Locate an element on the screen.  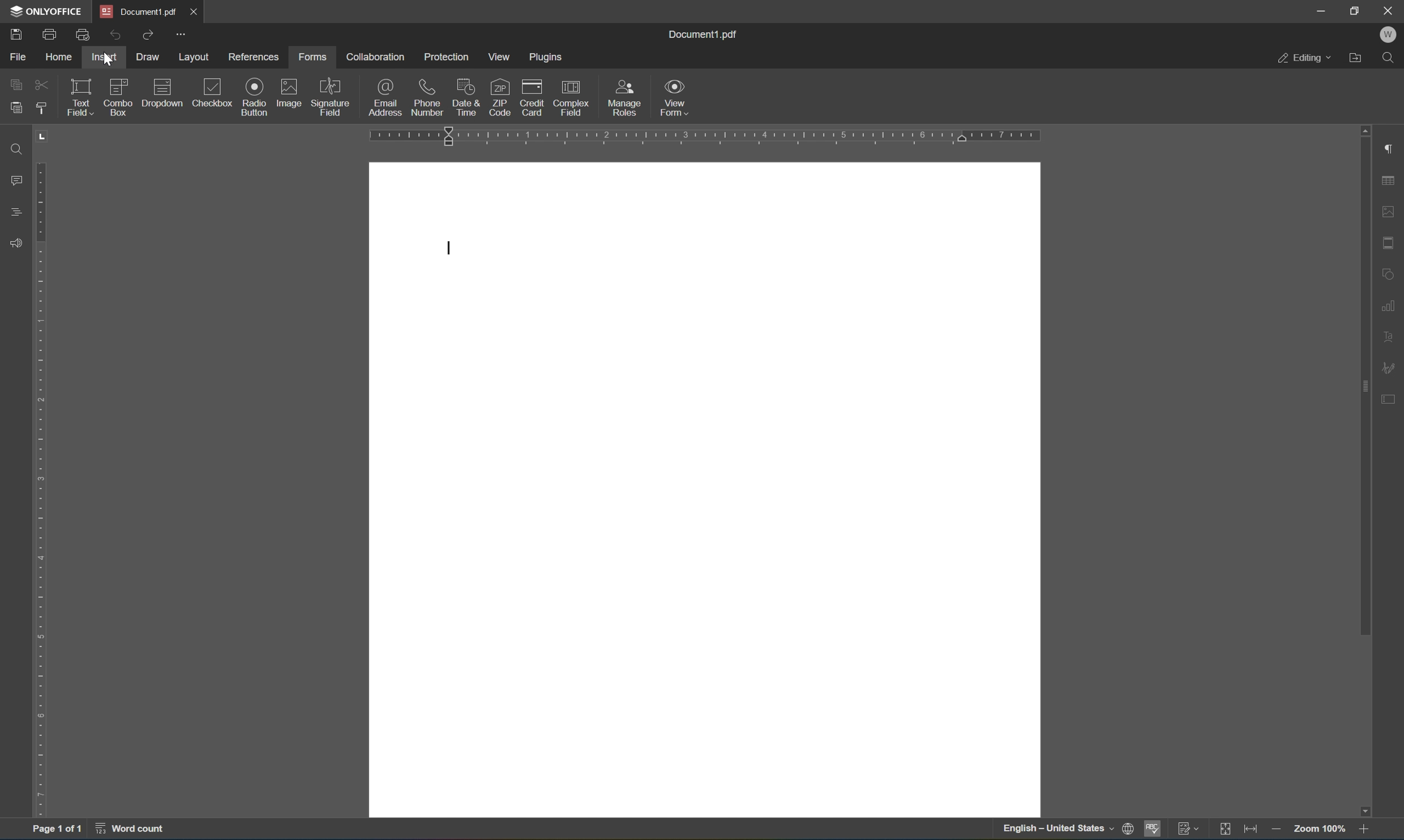
view is located at coordinates (498, 56).